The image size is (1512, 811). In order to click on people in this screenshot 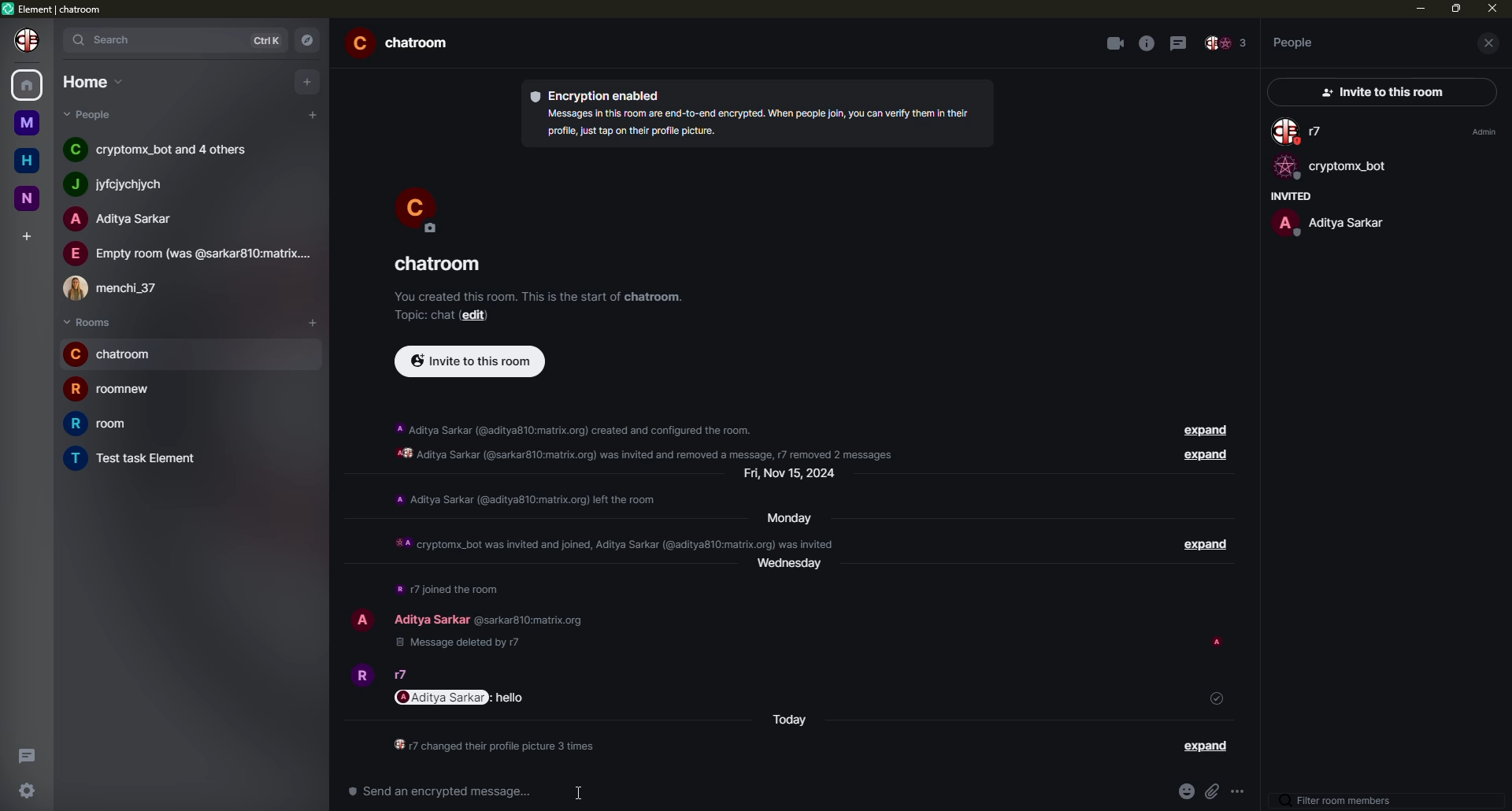, I will do `click(1301, 132)`.